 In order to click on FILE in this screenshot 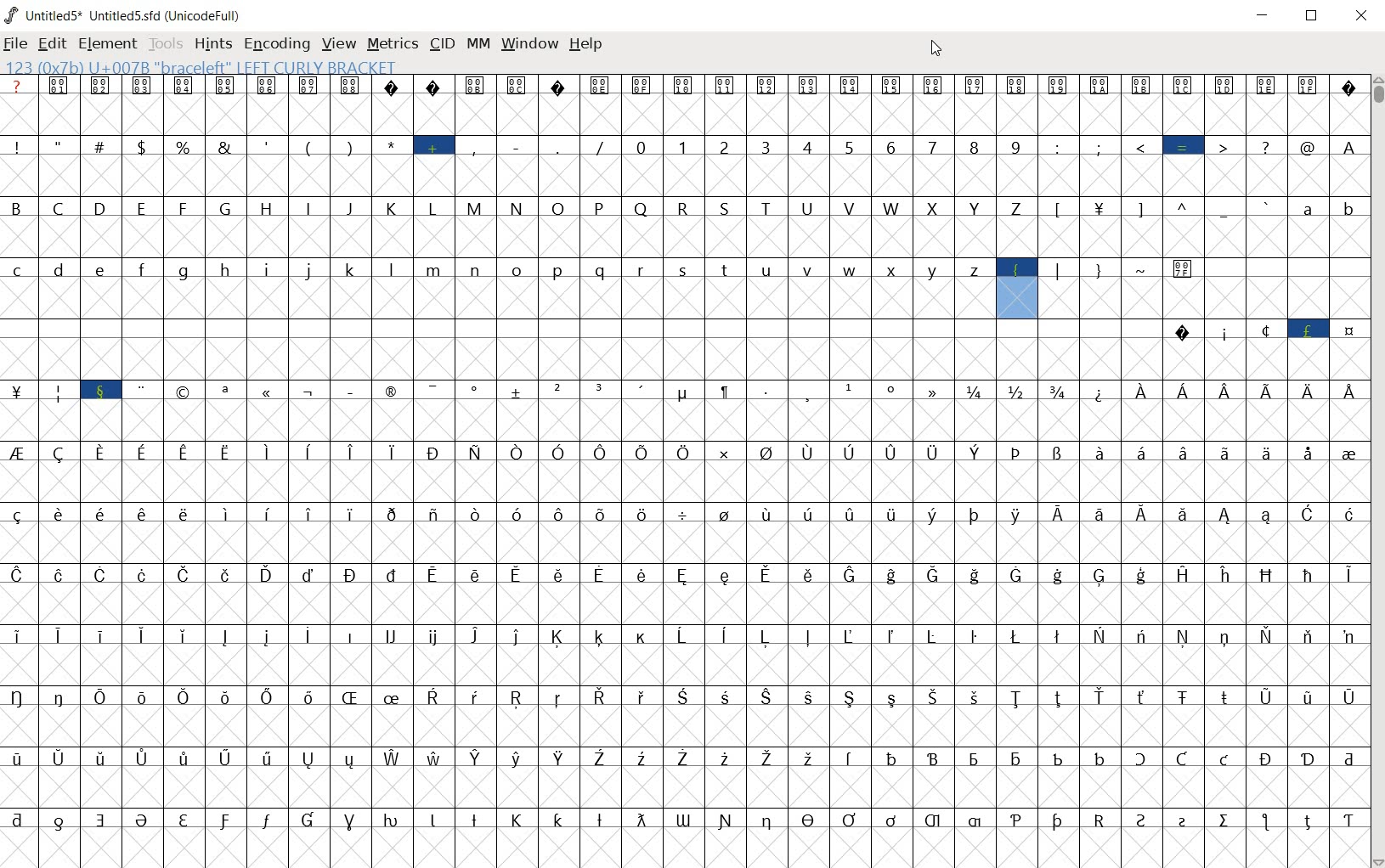, I will do `click(16, 45)`.